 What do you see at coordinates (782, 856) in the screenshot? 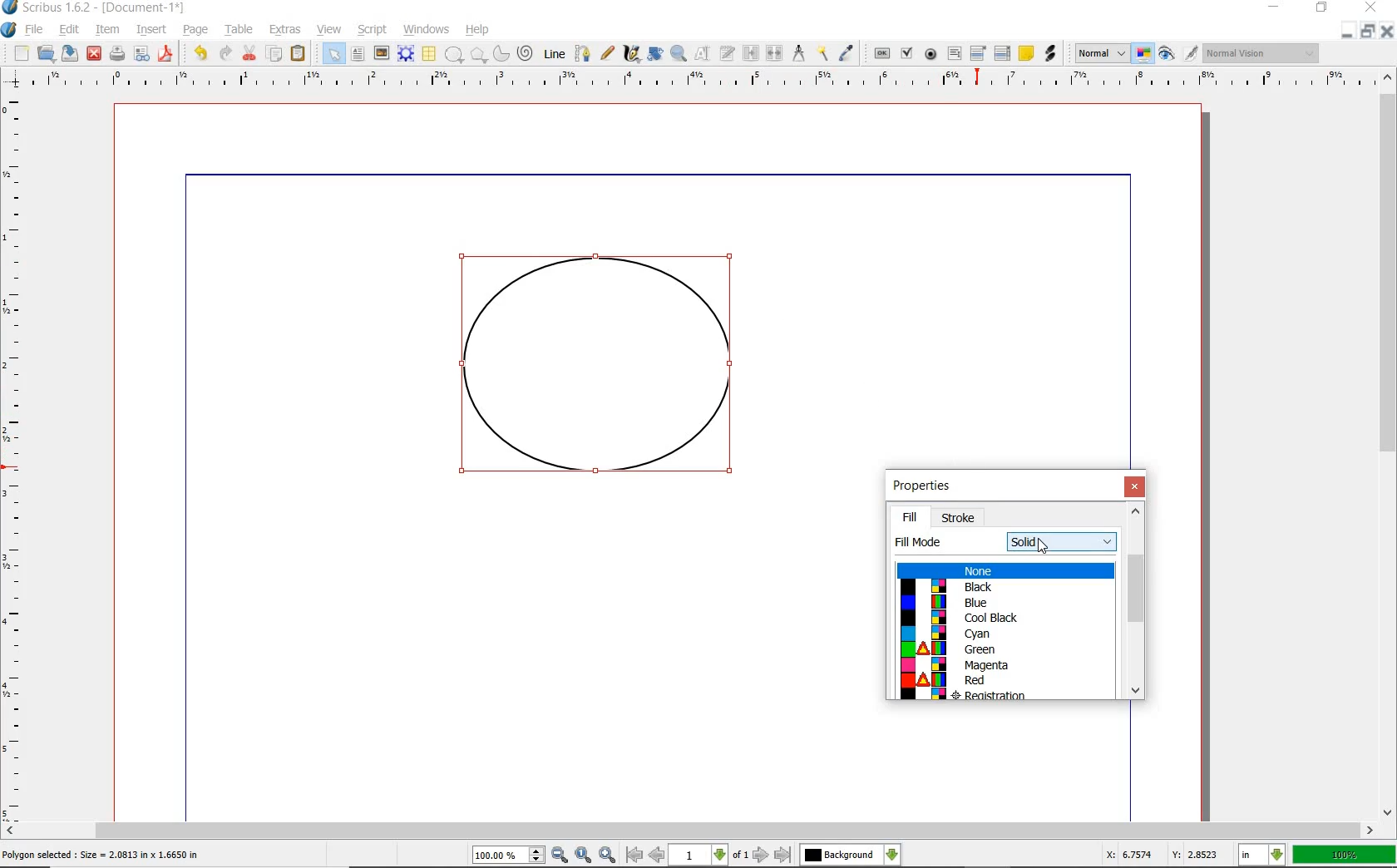
I see `last` at bounding box center [782, 856].